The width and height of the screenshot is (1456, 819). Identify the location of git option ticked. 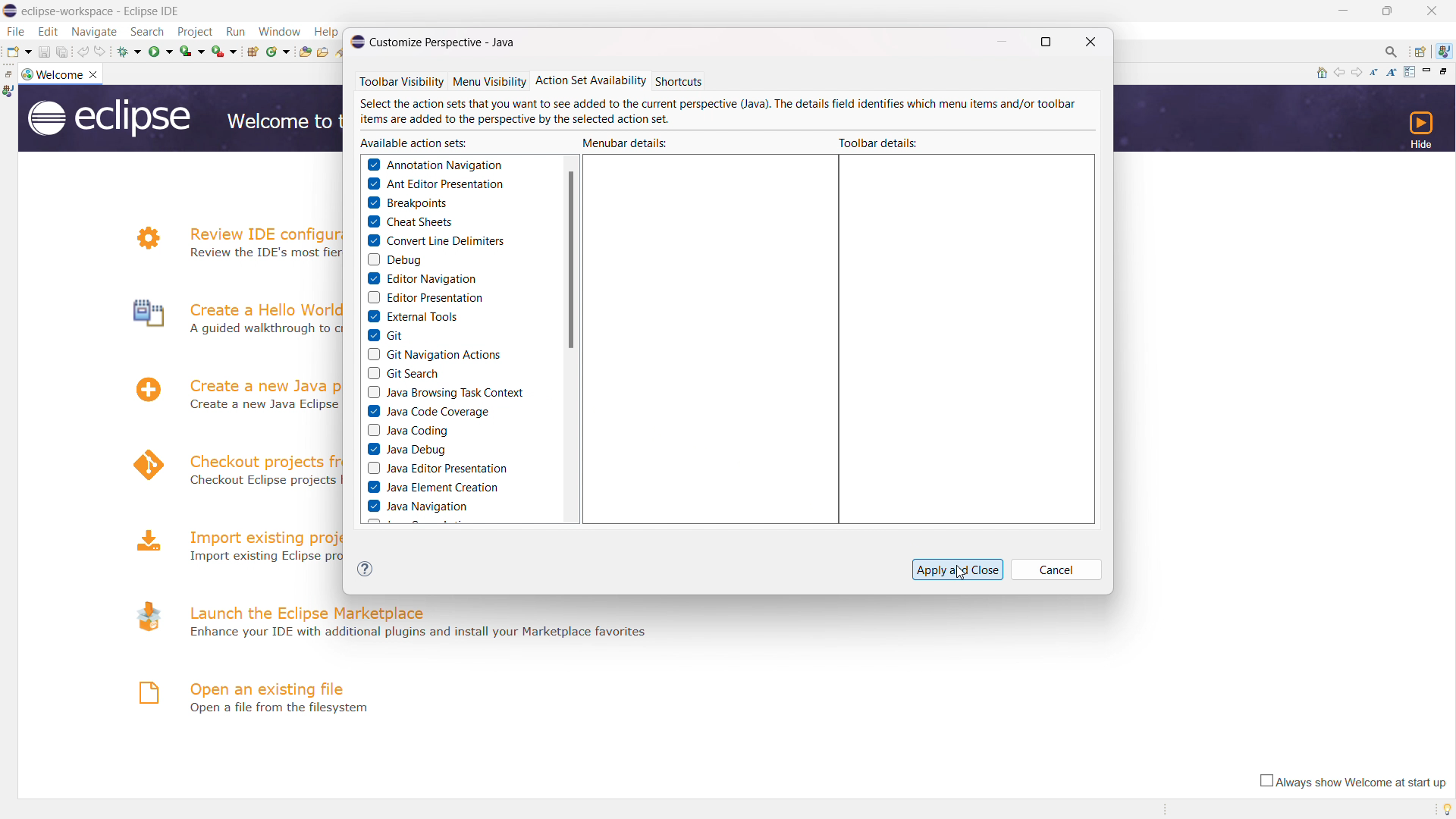
(386, 334).